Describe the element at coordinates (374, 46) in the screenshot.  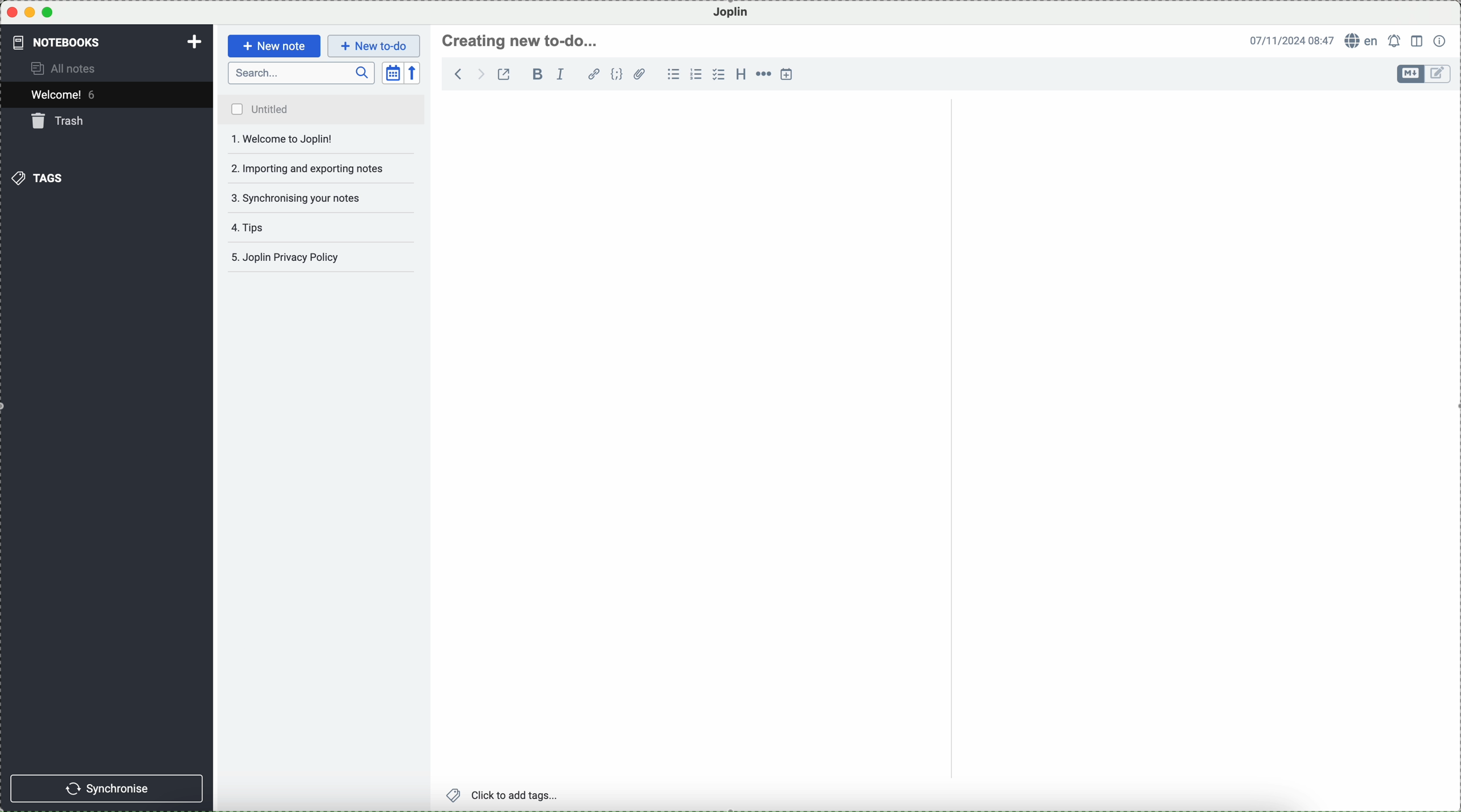
I see `new to-do button` at that location.